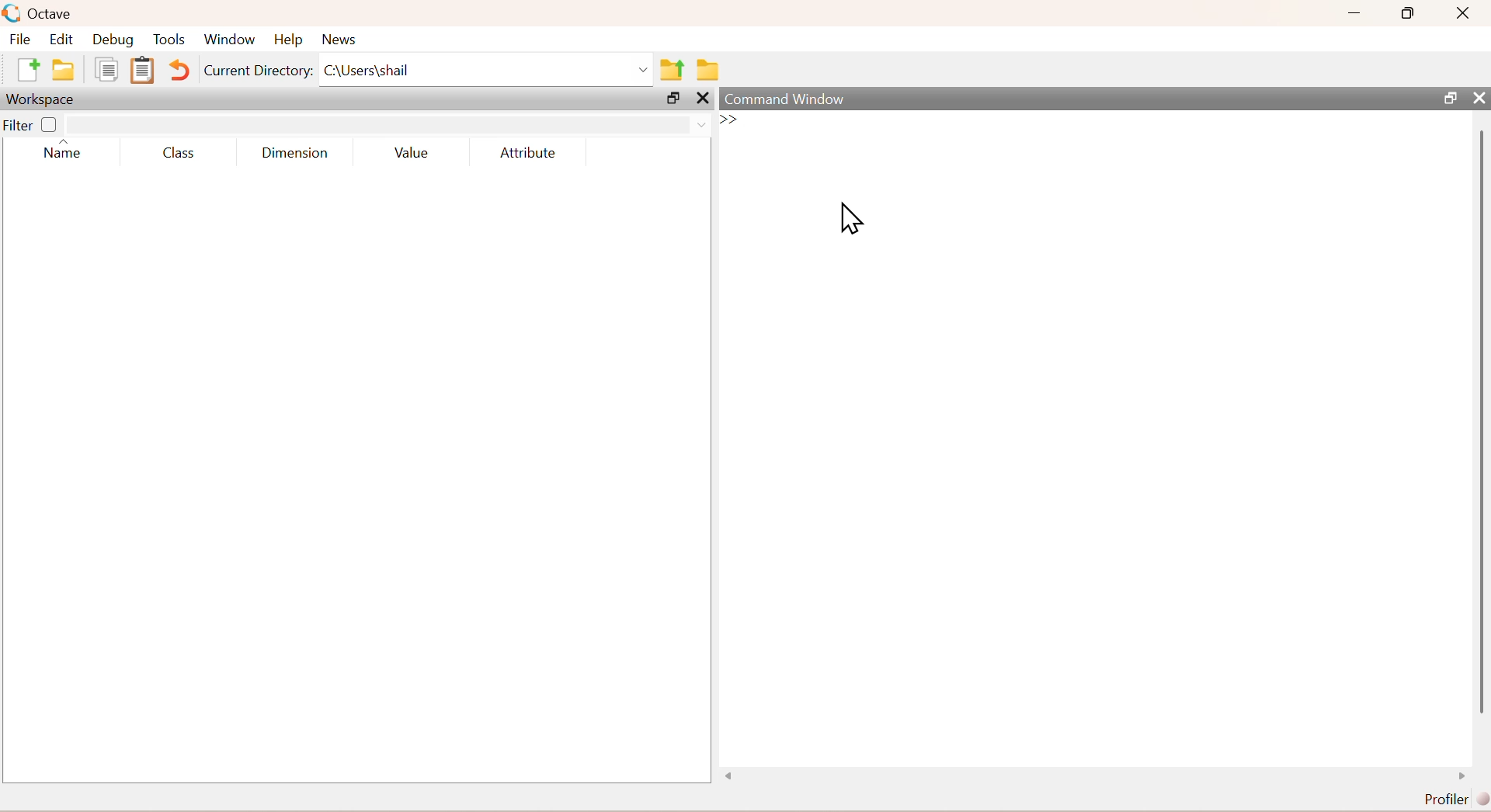 The height and width of the screenshot is (812, 1491). What do you see at coordinates (62, 39) in the screenshot?
I see `edit` at bounding box center [62, 39].